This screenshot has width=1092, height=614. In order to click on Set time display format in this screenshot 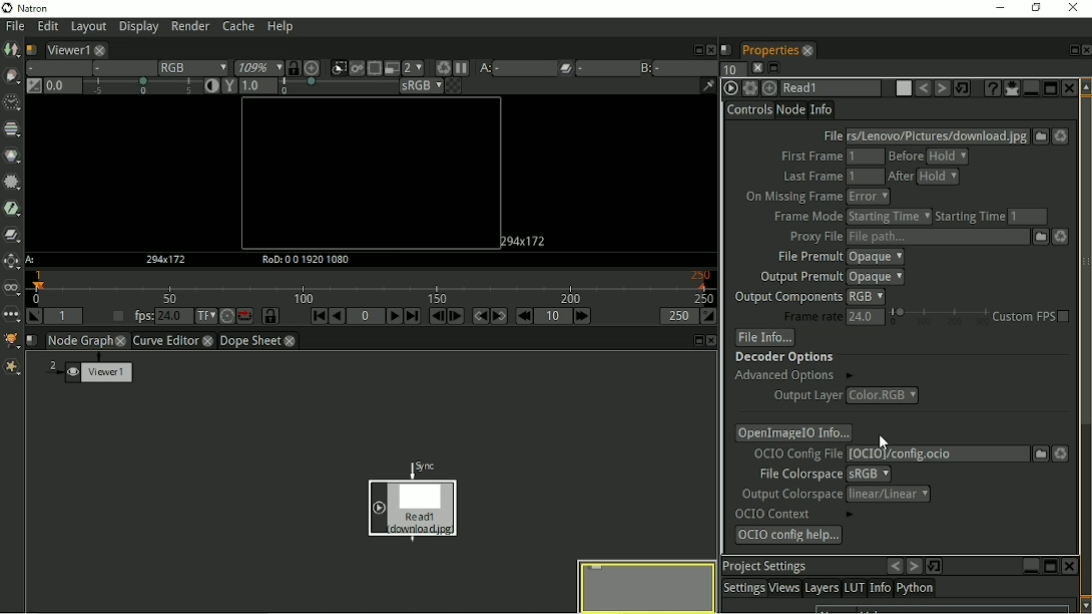, I will do `click(201, 317)`.